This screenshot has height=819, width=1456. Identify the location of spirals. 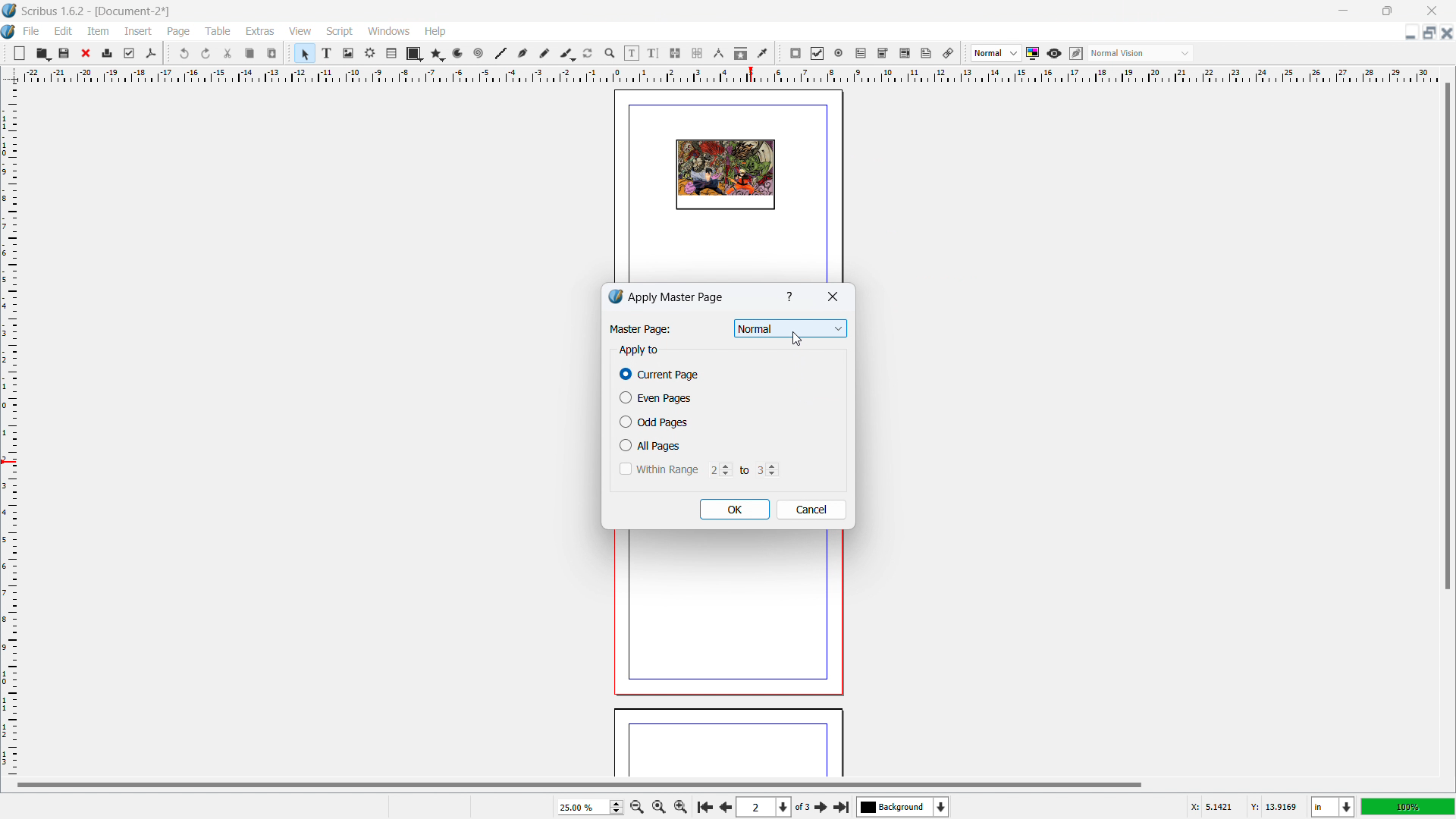
(479, 54).